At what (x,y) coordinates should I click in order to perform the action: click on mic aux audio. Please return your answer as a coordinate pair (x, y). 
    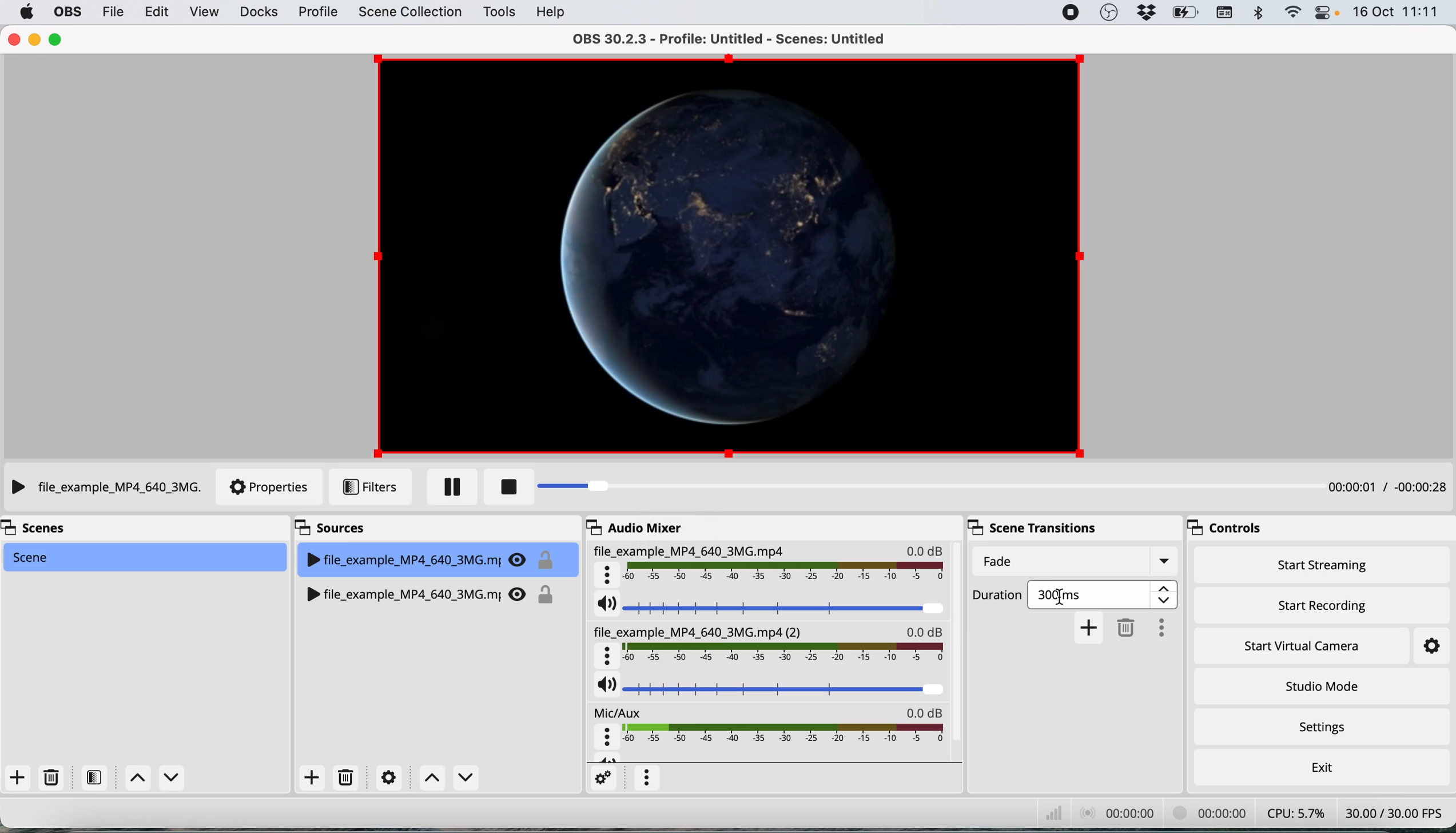
    Looking at the image, I should click on (769, 733).